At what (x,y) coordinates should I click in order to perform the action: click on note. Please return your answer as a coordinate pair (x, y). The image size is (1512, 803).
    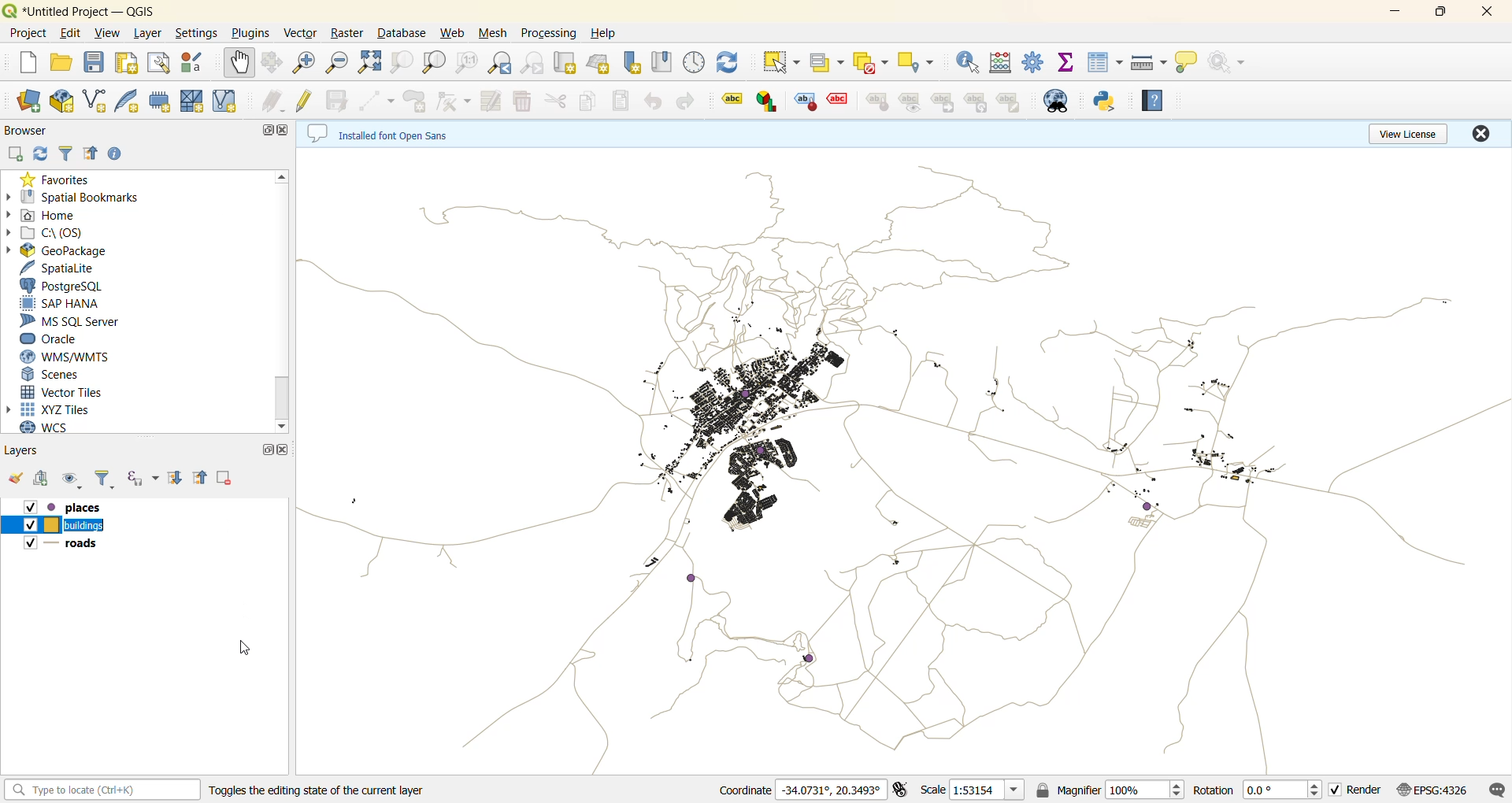
    Looking at the image, I should click on (1010, 102).